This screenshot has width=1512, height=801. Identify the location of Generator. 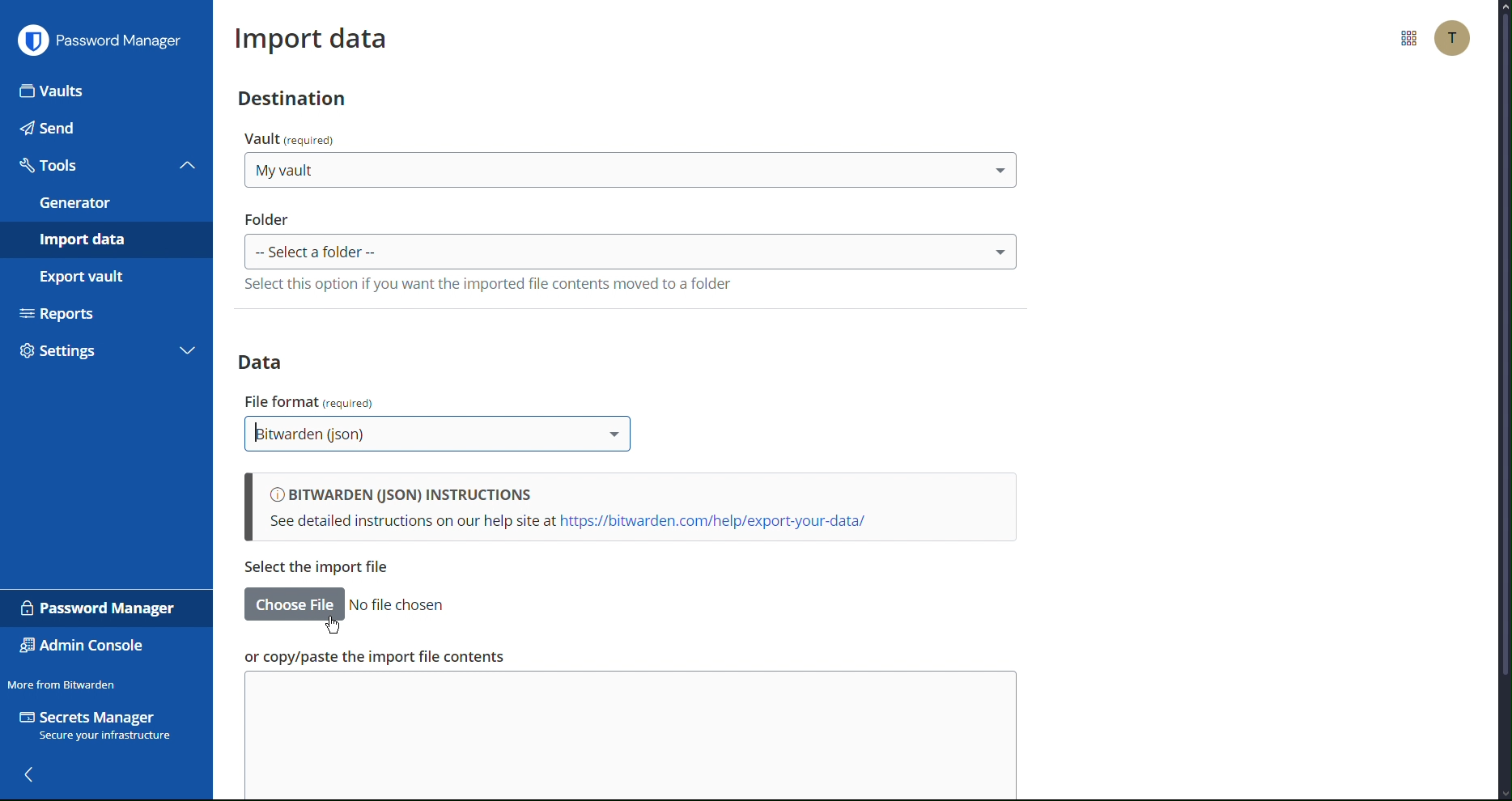
(104, 203).